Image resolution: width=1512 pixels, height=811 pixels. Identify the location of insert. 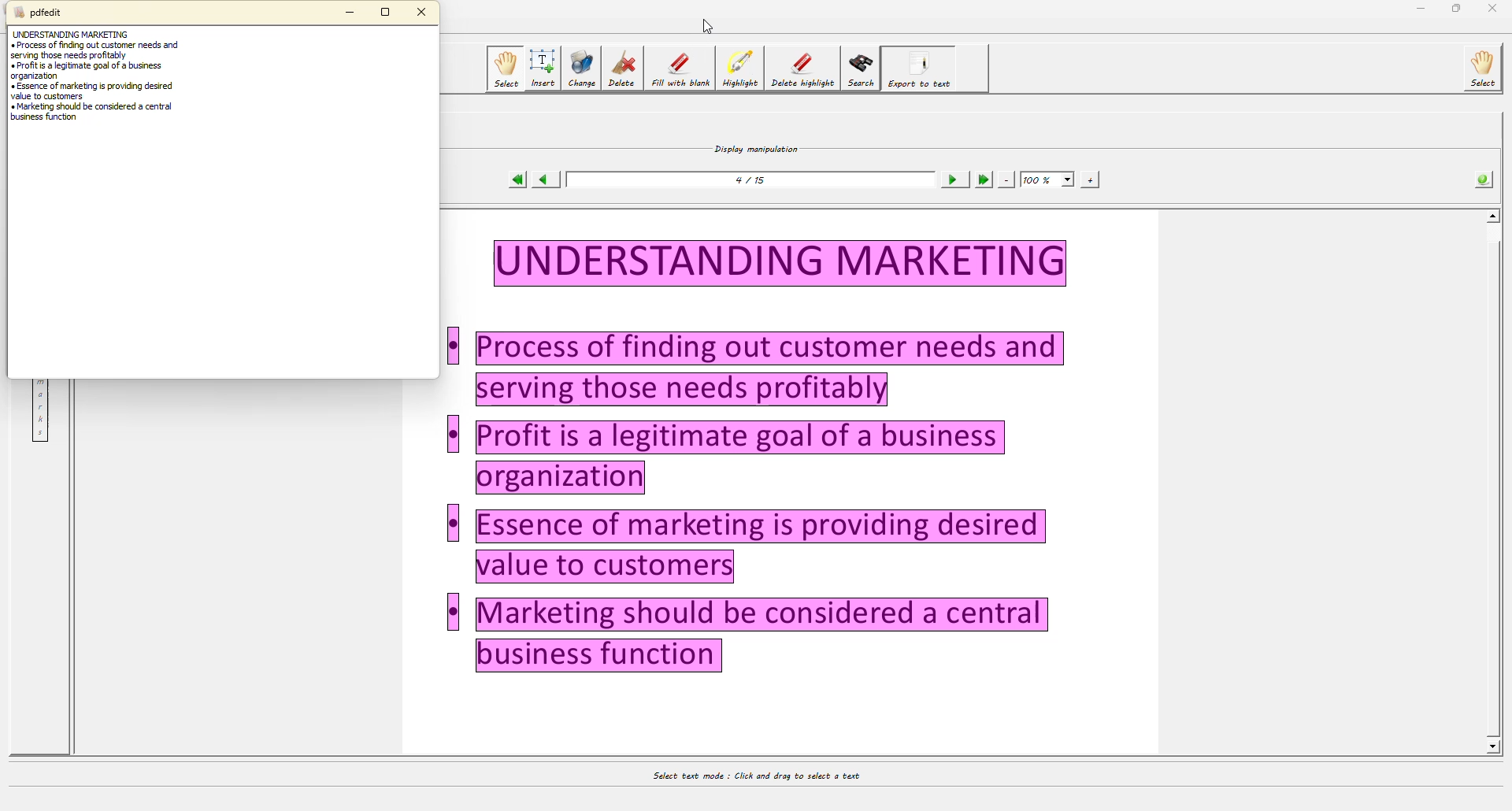
(543, 69).